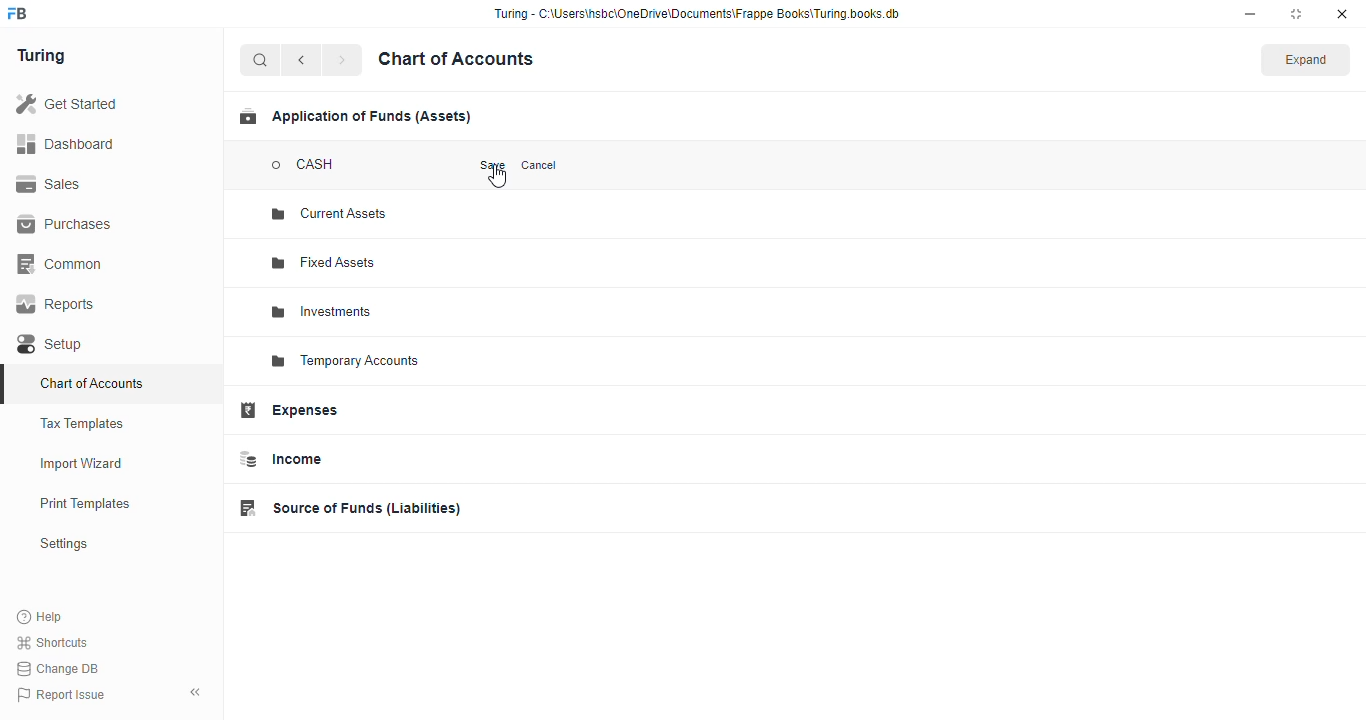  Describe the element at coordinates (59, 668) in the screenshot. I see `change DB` at that location.